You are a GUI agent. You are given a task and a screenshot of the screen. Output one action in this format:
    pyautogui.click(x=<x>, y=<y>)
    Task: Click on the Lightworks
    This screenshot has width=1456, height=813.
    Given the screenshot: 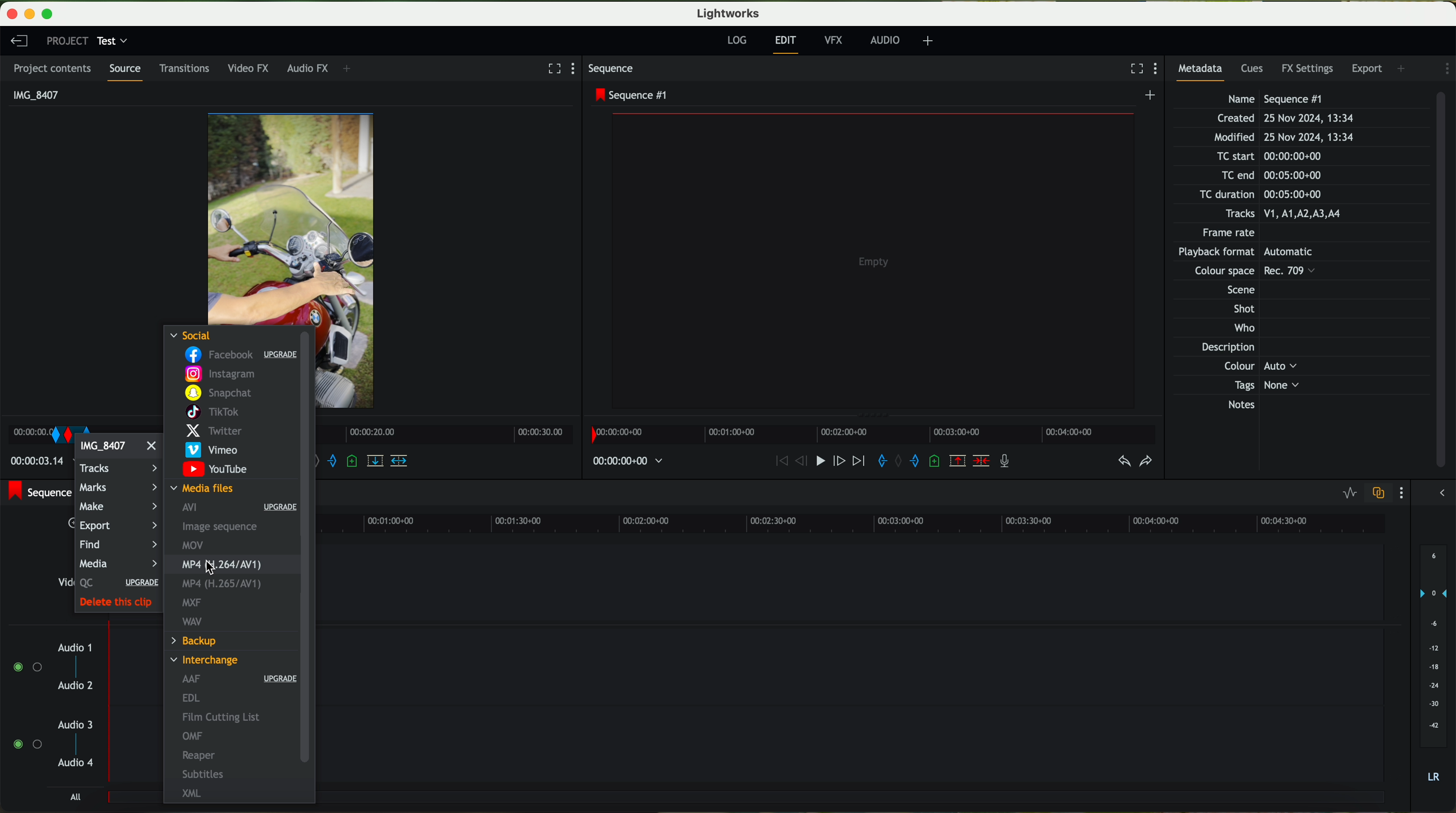 What is the action you would take?
    pyautogui.click(x=727, y=14)
    